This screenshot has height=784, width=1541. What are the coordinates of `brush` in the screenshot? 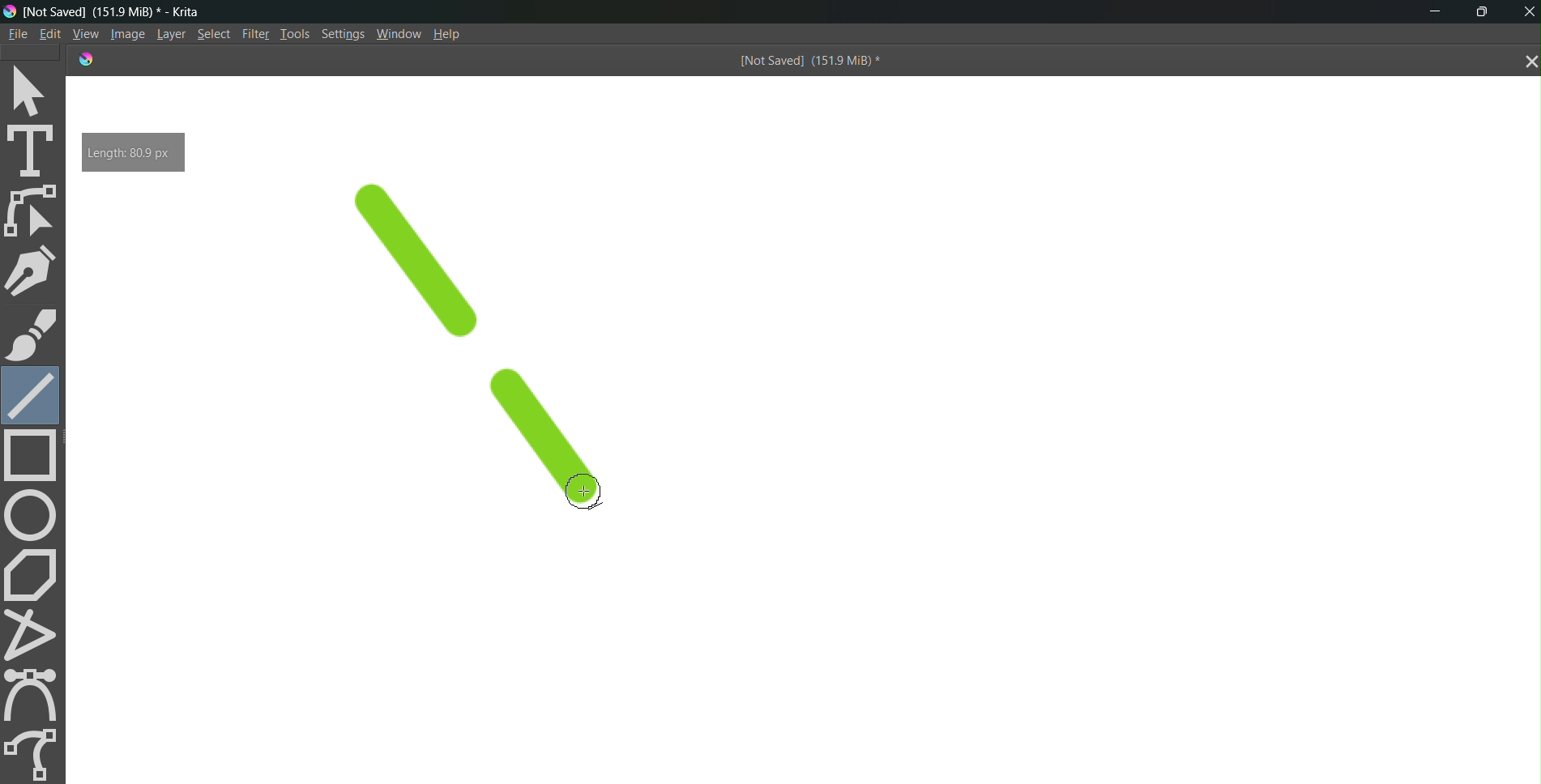 It's located at (32, 334).